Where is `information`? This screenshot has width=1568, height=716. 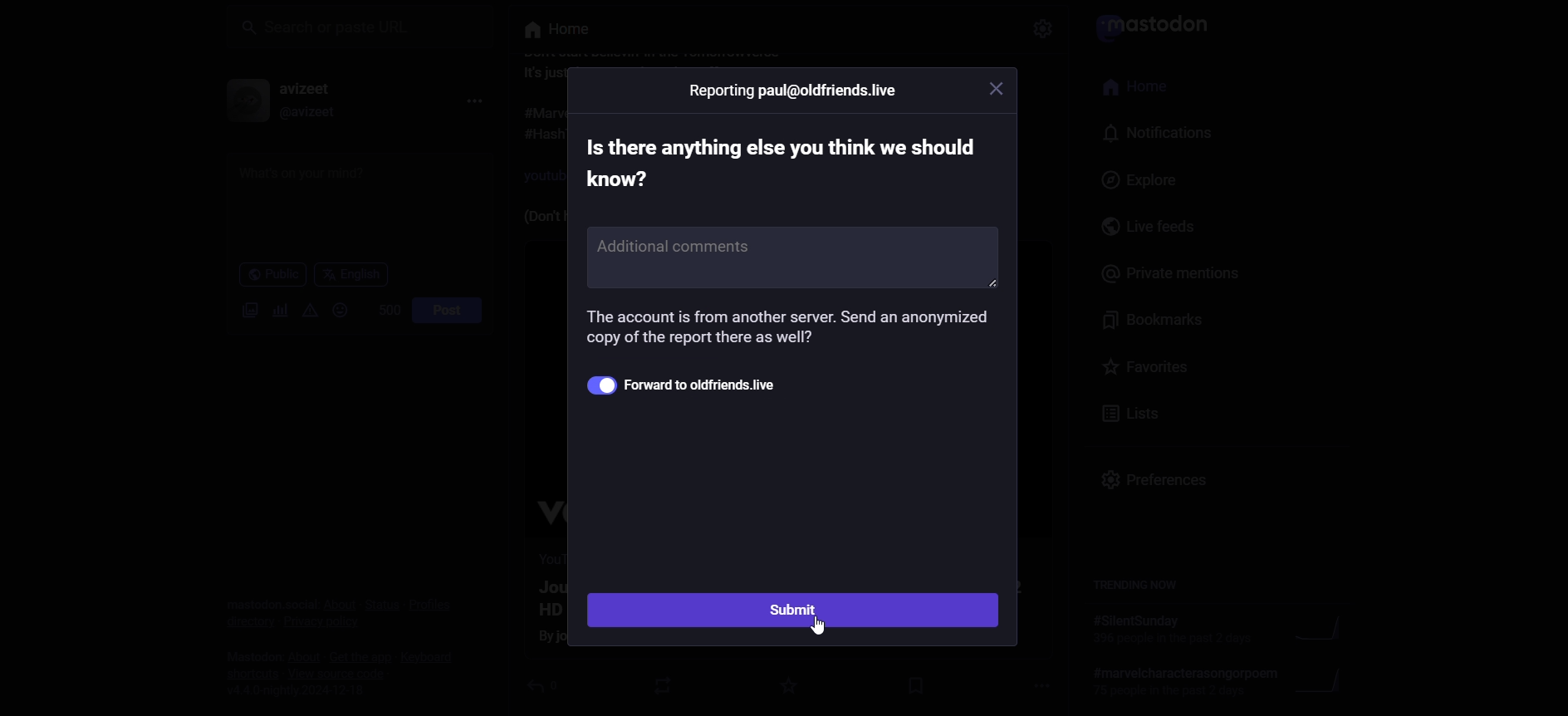
information is located at coordinates (798, 331).